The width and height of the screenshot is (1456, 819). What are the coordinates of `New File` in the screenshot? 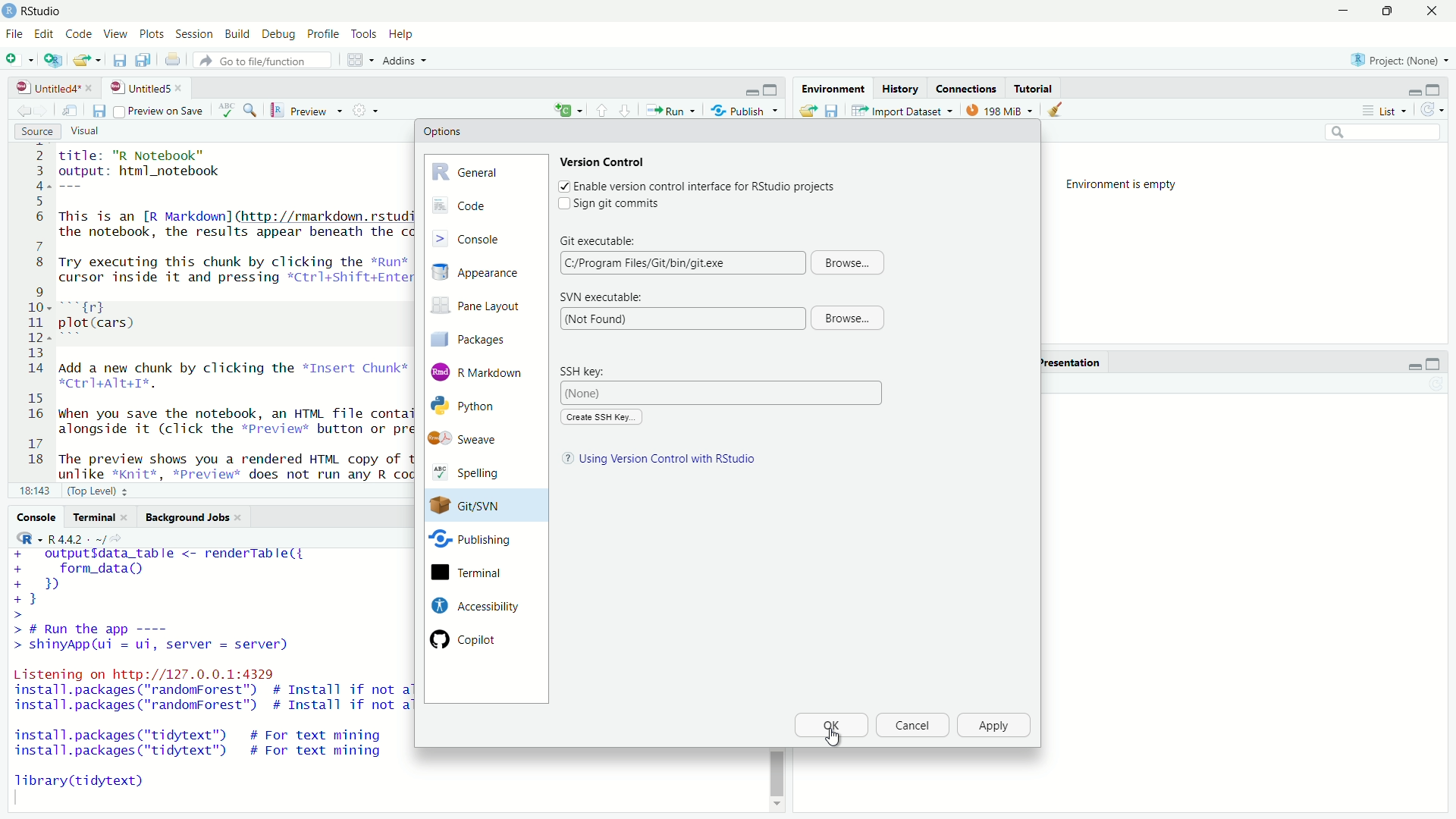 It's located at (20, 58).